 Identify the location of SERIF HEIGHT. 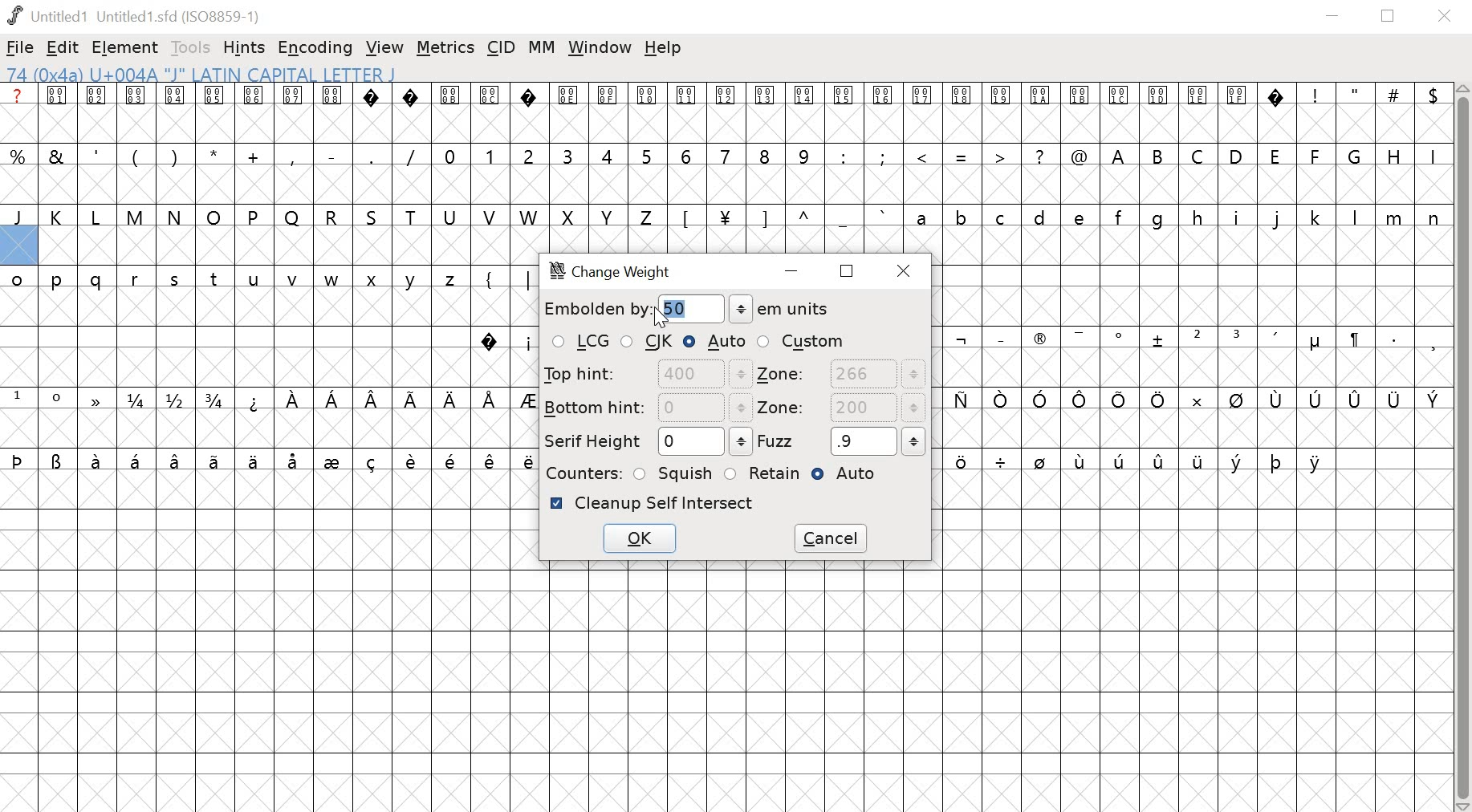
(645, 442).